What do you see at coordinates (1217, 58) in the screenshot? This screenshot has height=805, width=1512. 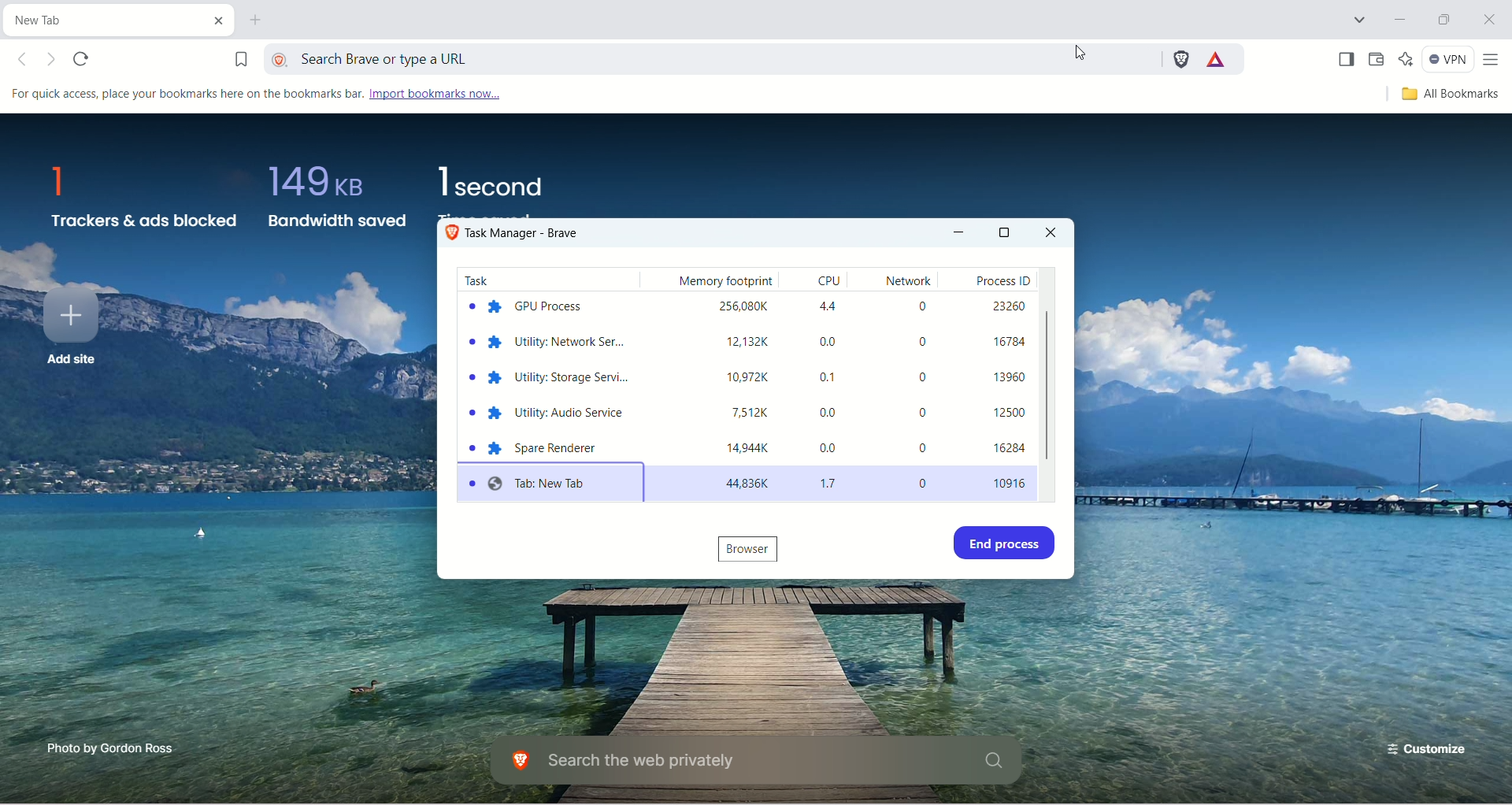 I see `rewards` at bounding box center [1217, 58].